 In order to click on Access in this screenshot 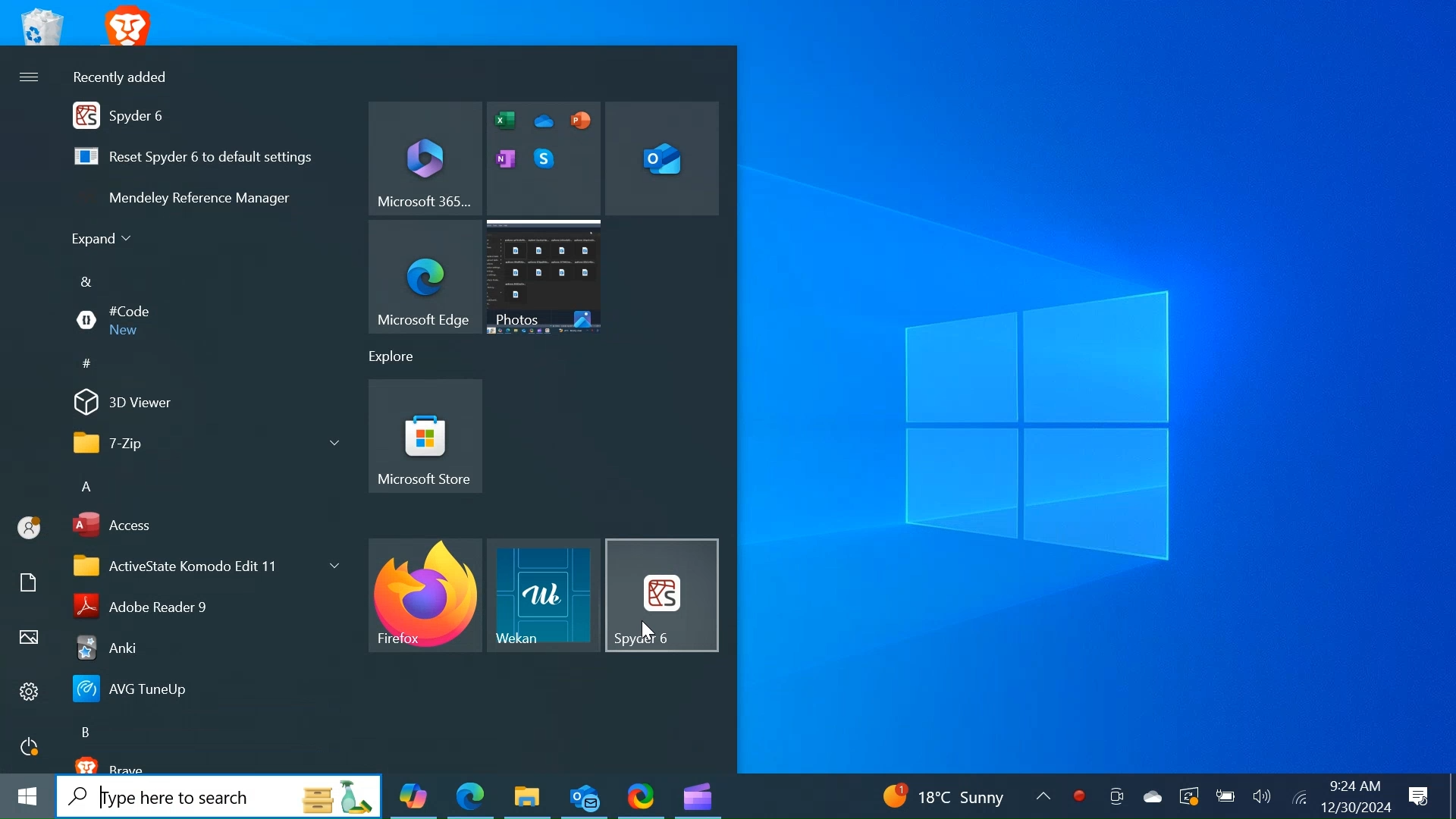, I will do `click(202, 526)`.